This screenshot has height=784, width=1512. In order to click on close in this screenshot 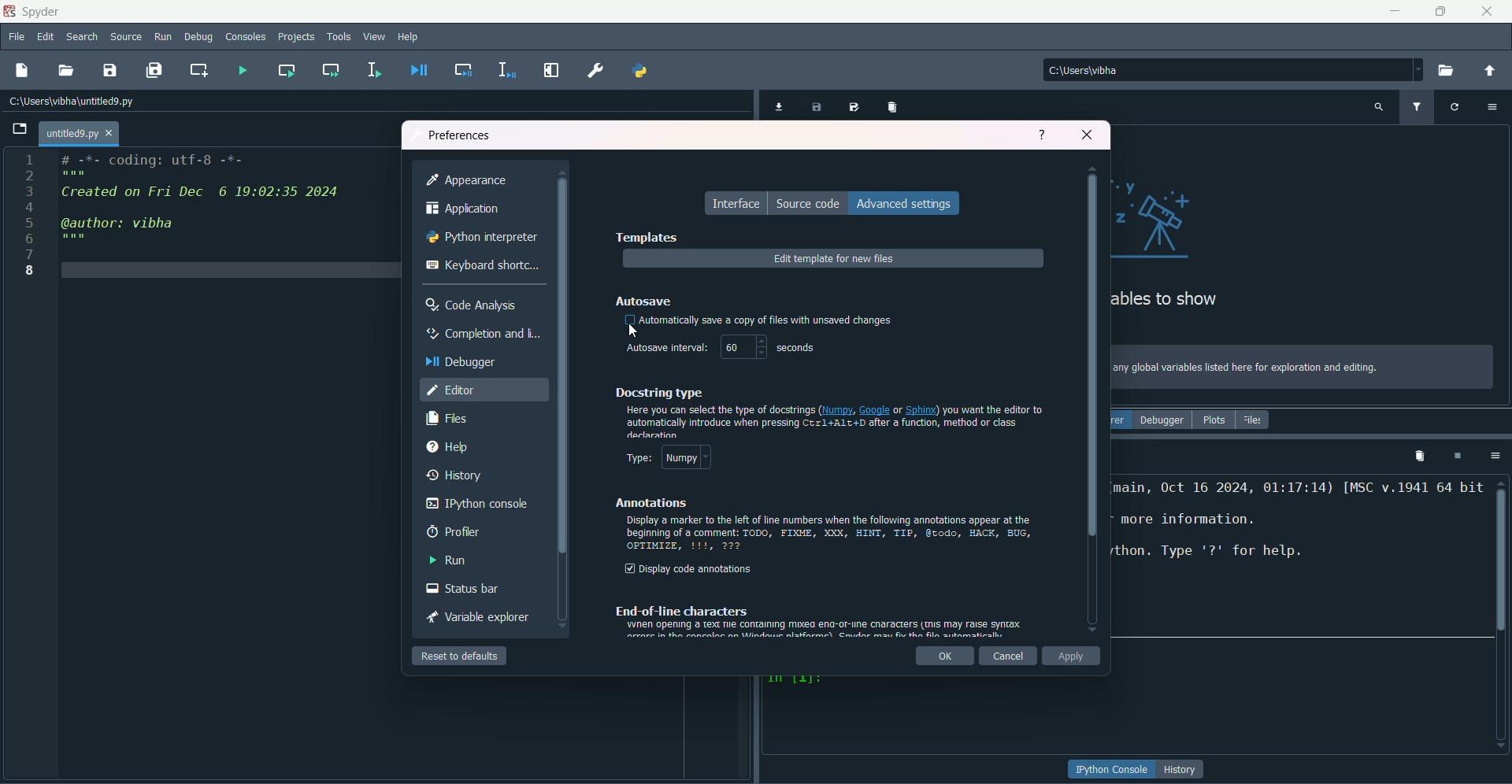, I will do `click(1088, 133)`.